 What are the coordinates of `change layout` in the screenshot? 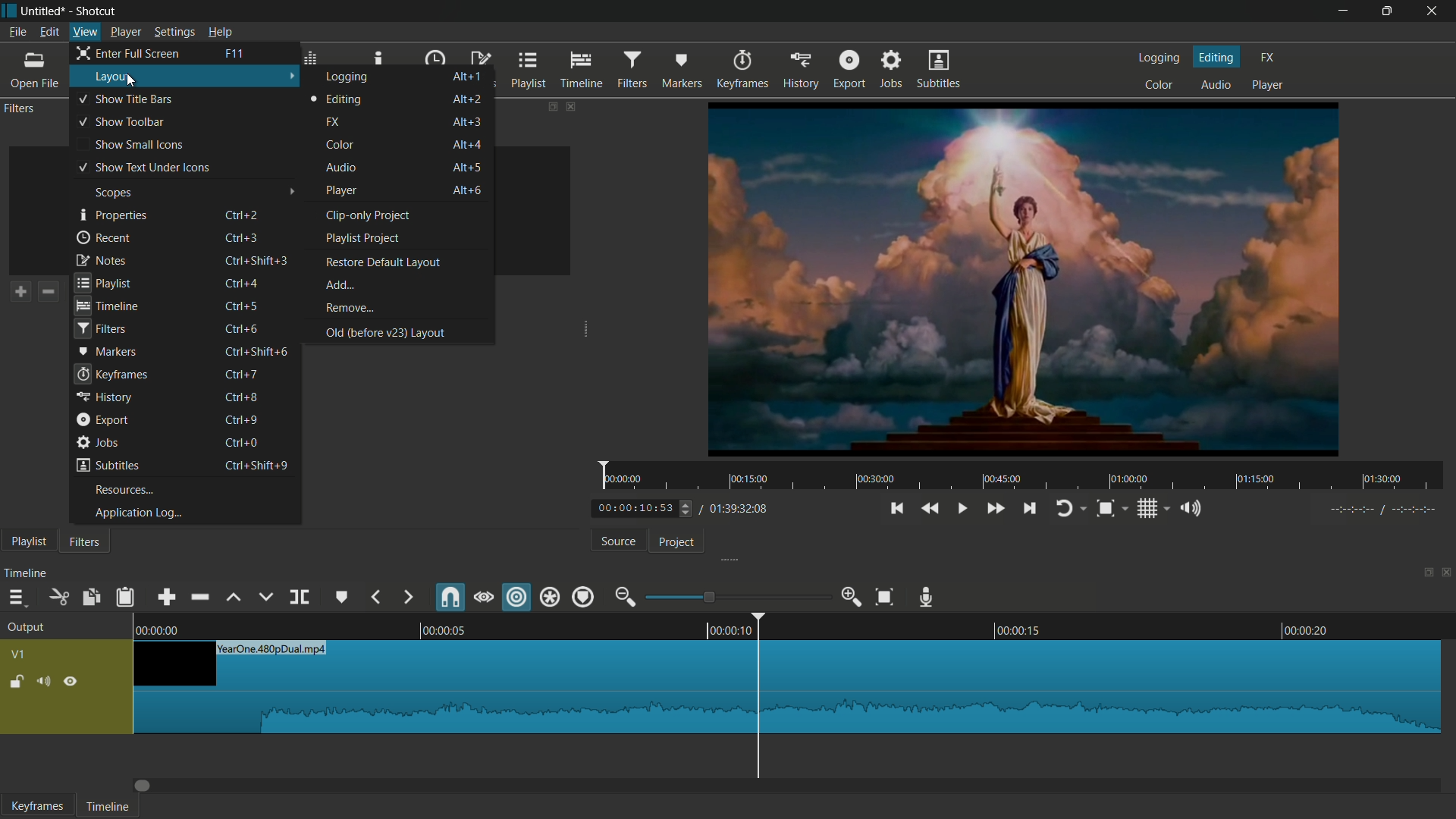 It's located at (1423, 574).